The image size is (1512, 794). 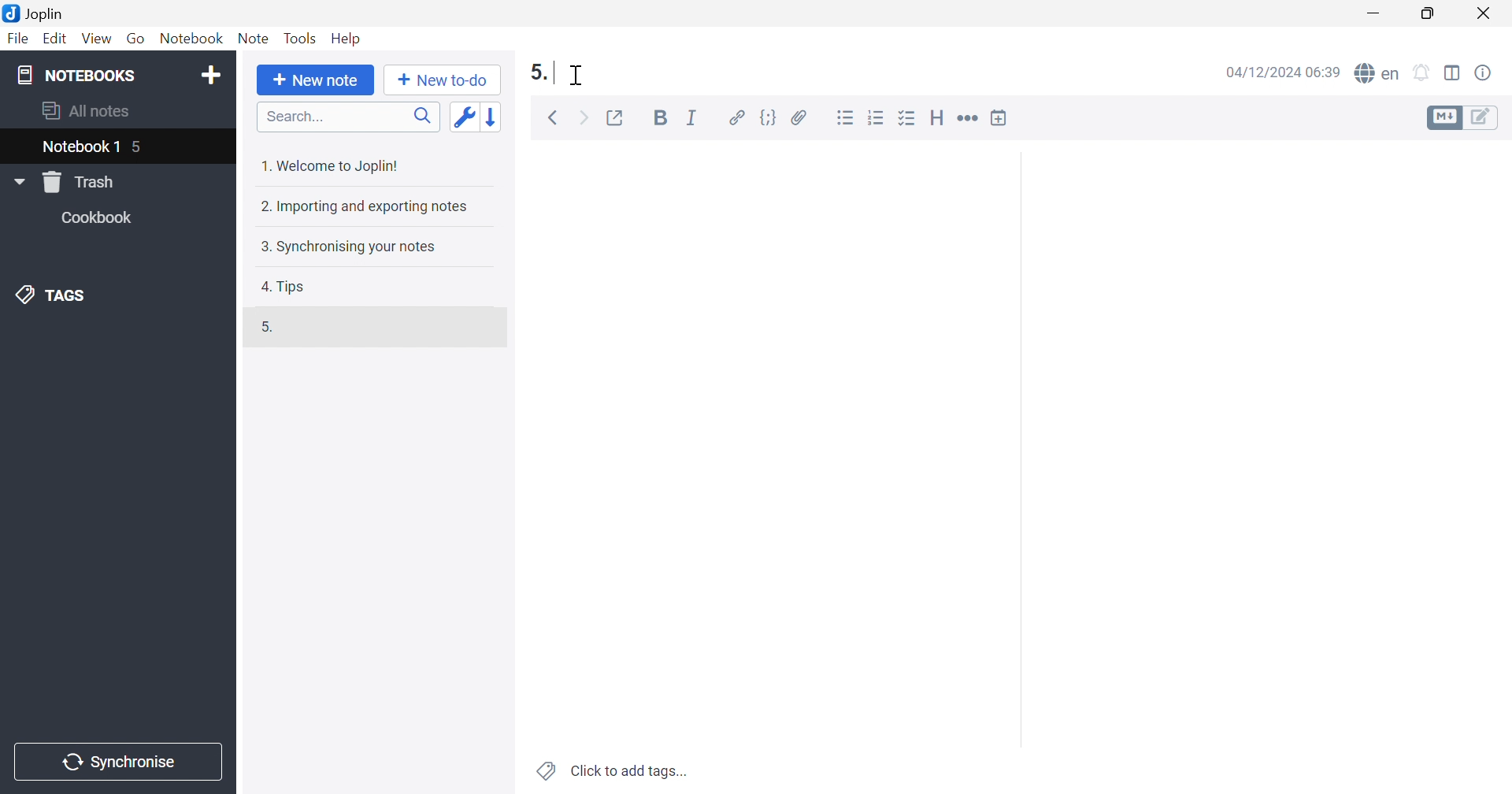 I want to click on Note properties, so click(x=1485, y=74).